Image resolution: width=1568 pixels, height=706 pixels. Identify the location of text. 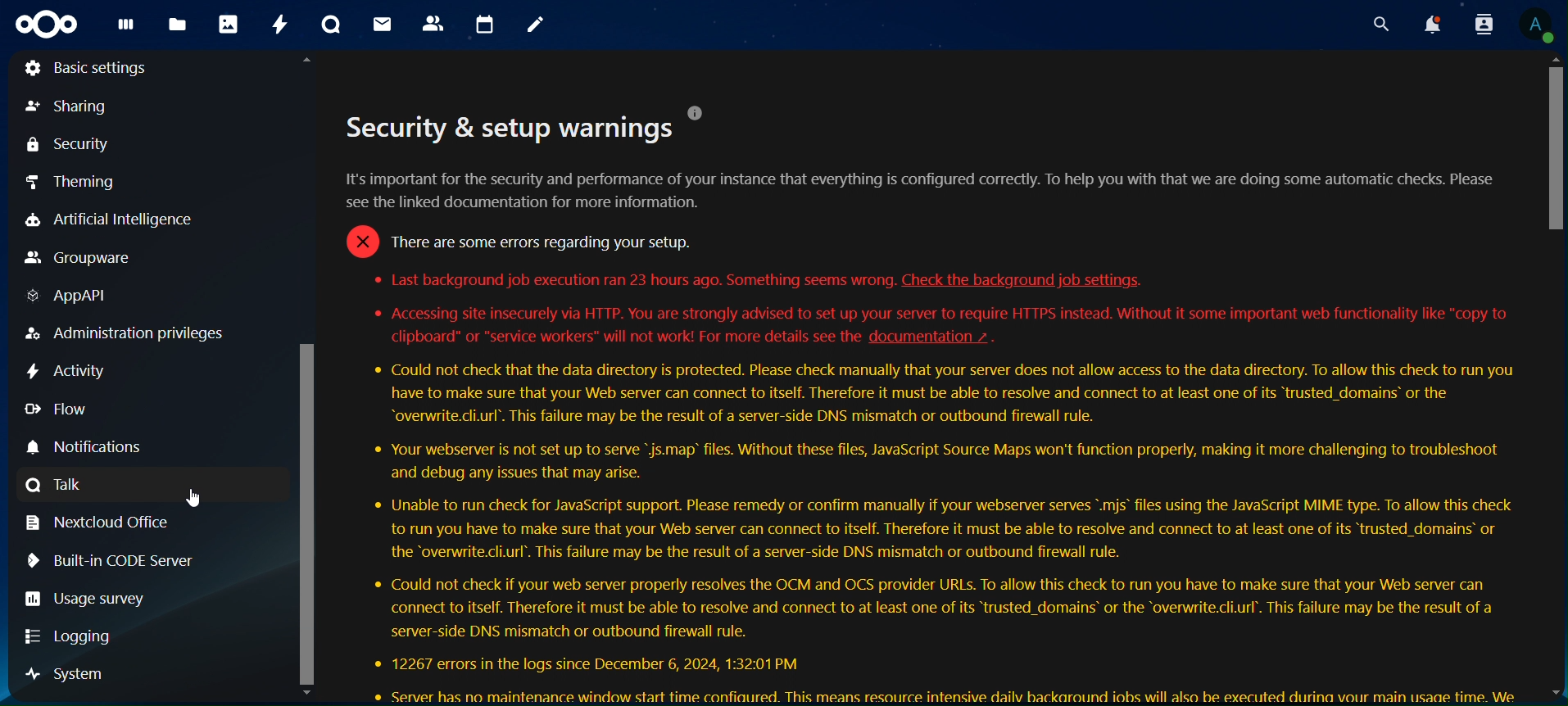
(510, 128).